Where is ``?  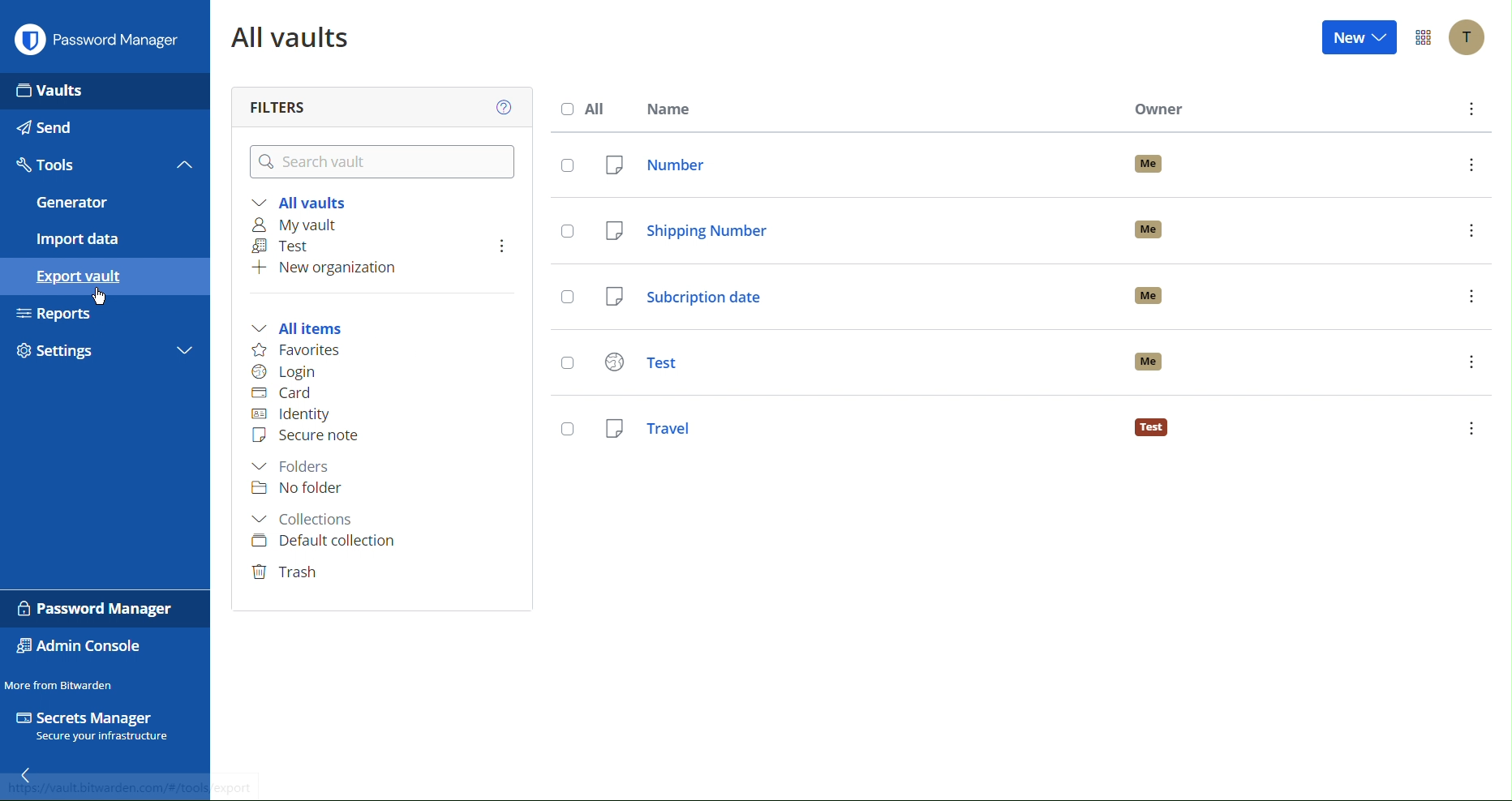
 is located at coordinates (295, 468).